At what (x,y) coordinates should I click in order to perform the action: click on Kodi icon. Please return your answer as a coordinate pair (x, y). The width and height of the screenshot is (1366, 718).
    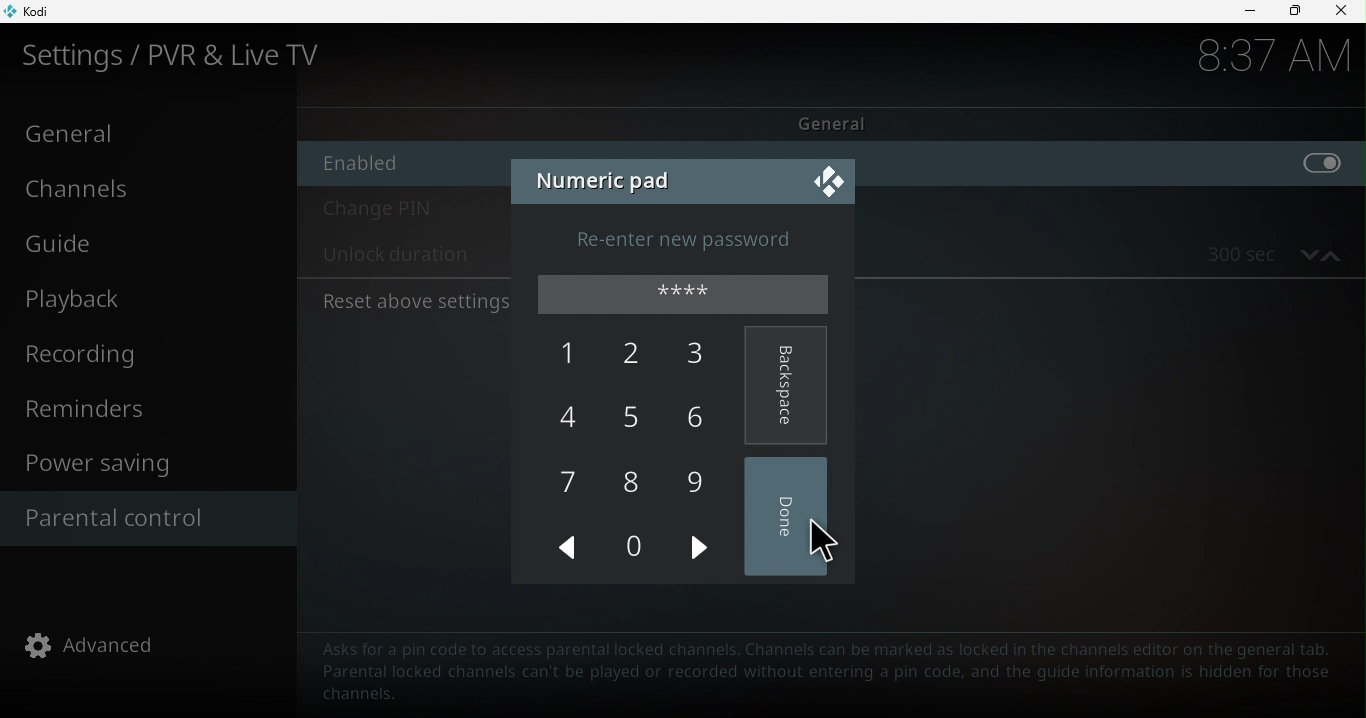
    Looking at the image, I should click on (41, 10).